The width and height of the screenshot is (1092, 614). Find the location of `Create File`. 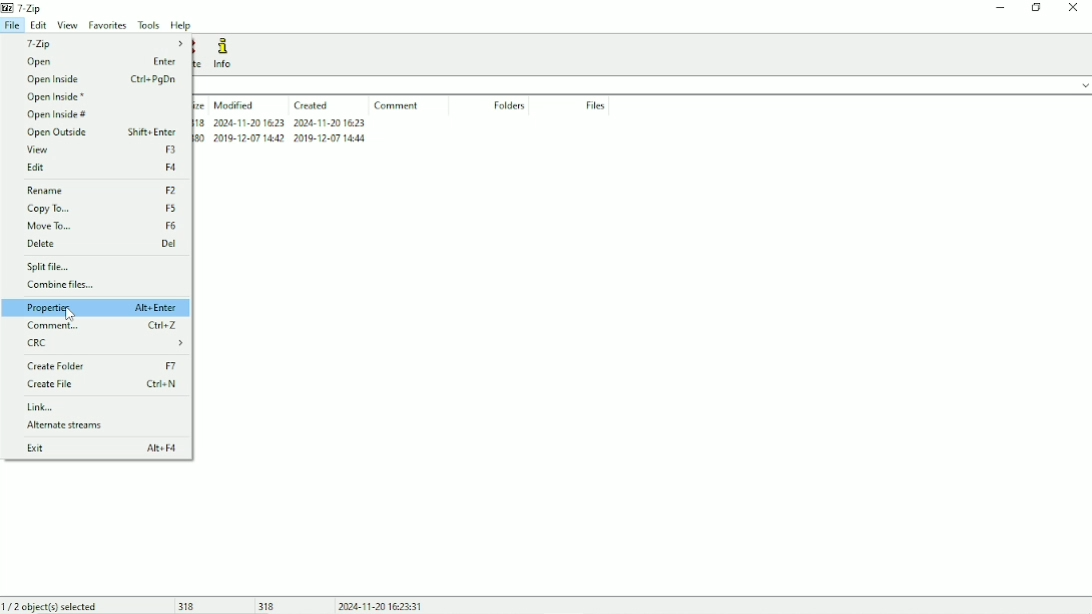

Create File is located at coordinates (103, 384).